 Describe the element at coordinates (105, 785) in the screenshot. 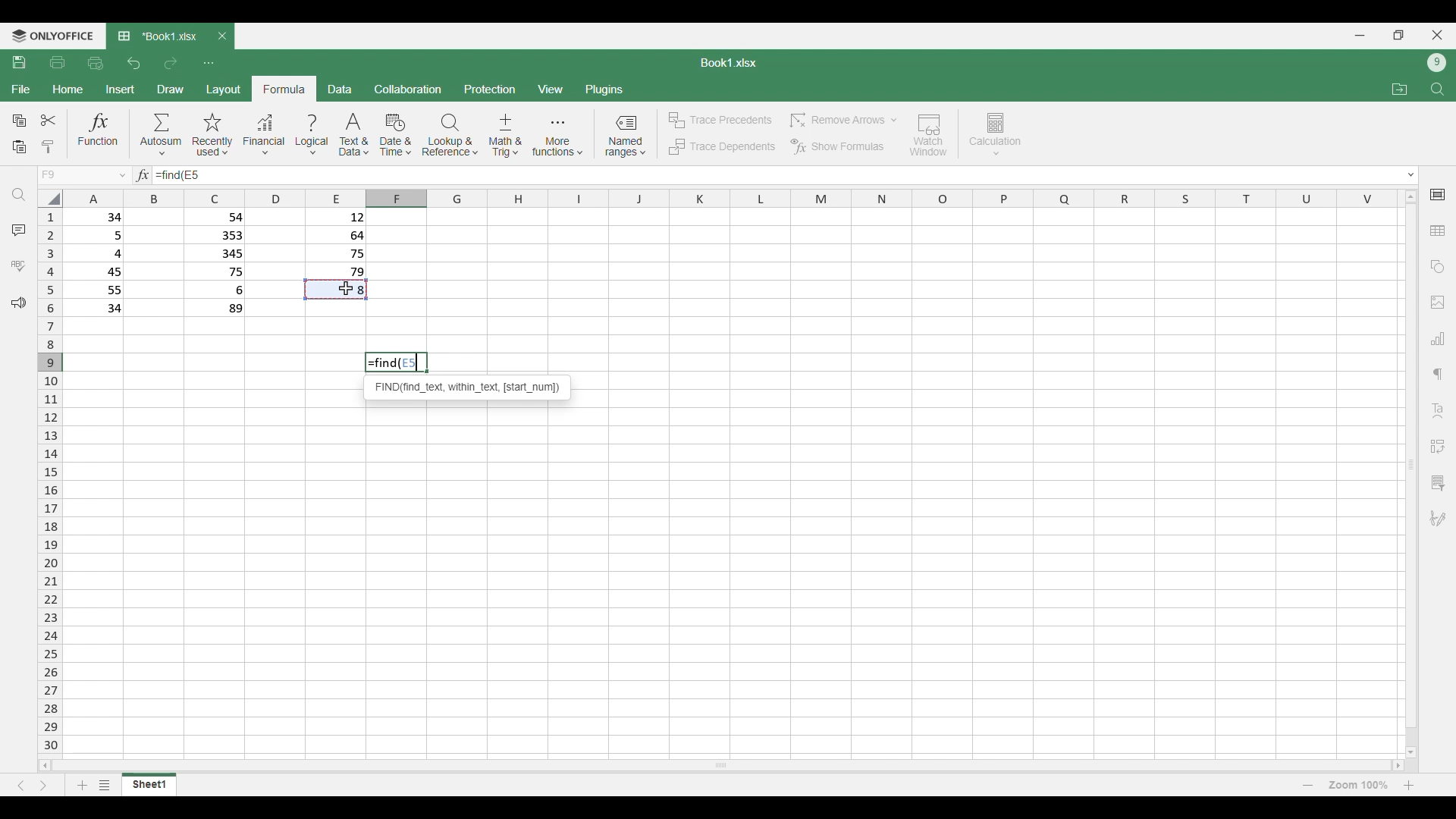

I see `List of sheets` at that location.